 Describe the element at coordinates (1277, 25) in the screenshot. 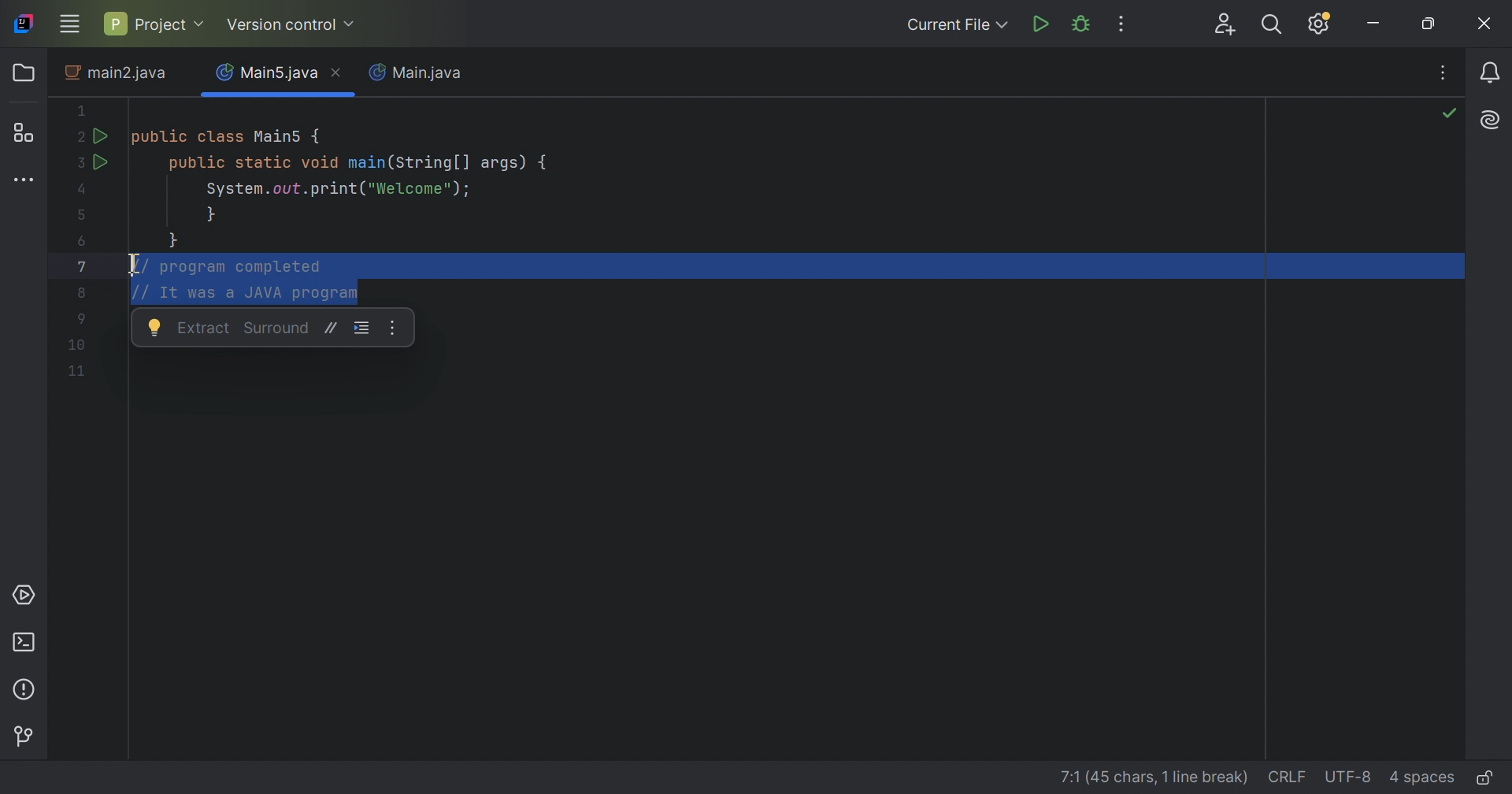

I see `Search` at that location.